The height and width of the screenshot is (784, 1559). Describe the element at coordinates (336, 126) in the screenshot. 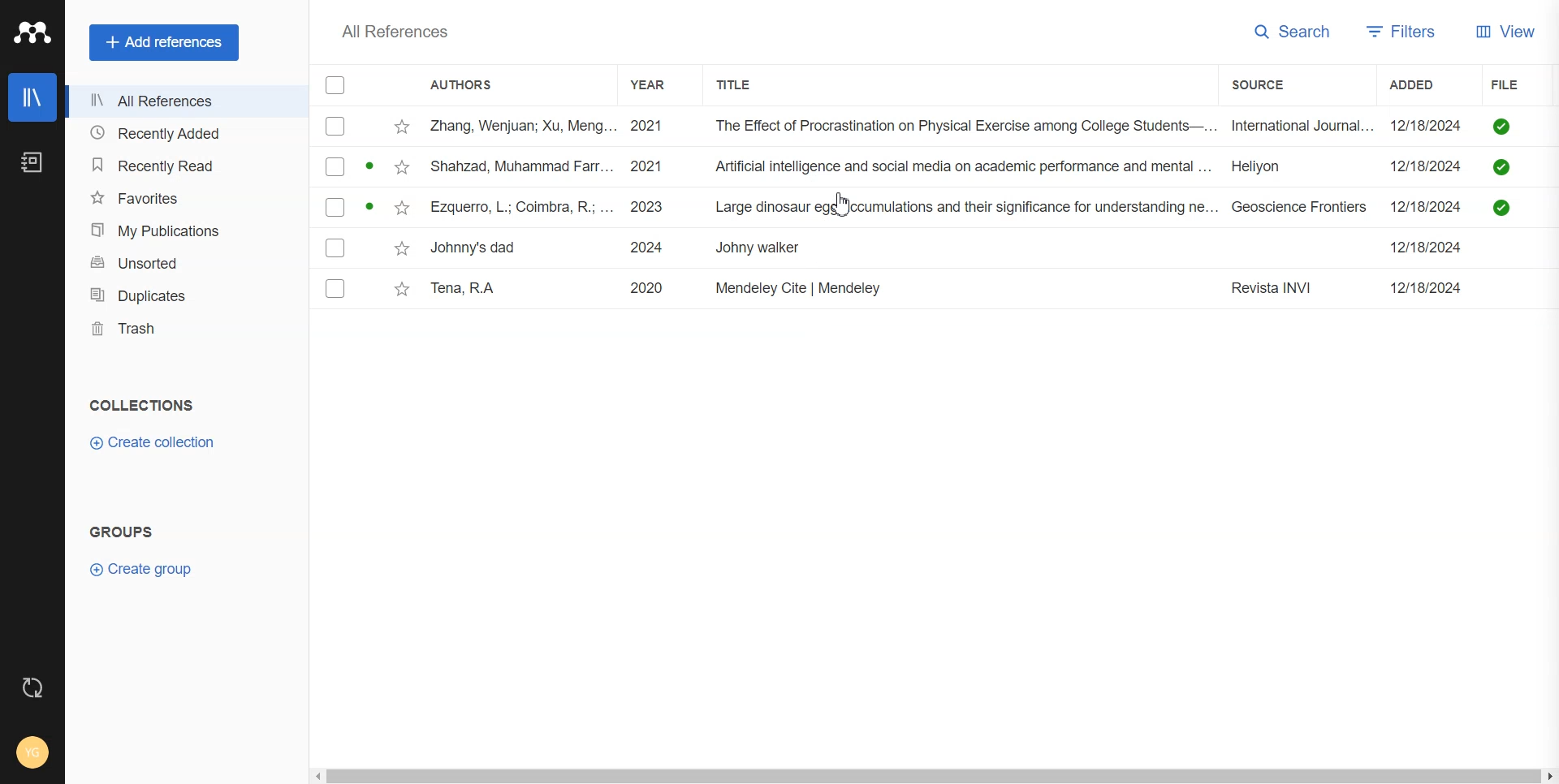

I see `Checkbox` at that location.